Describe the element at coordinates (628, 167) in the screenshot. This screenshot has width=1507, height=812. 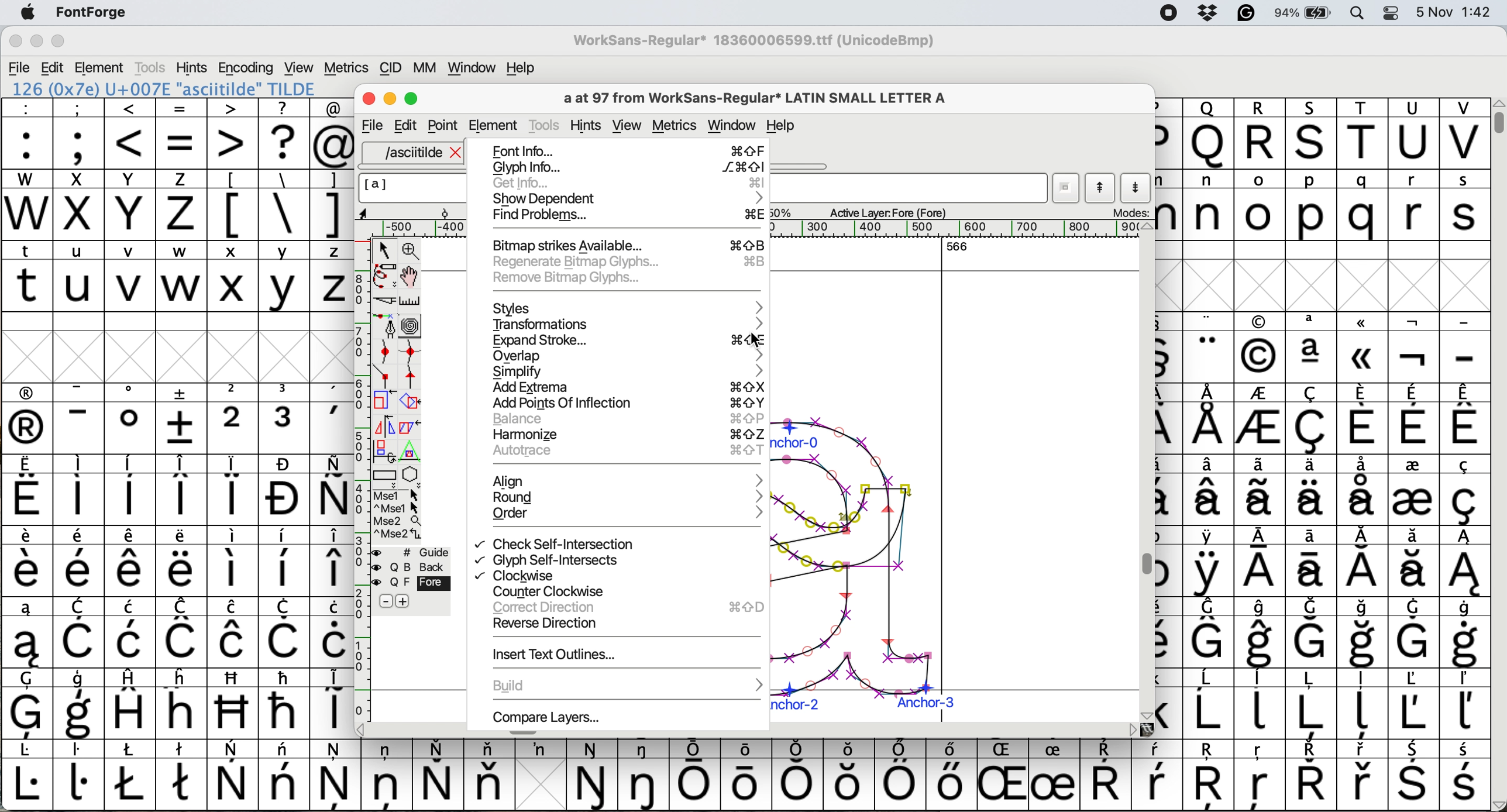
I see `glyph info` at that location.